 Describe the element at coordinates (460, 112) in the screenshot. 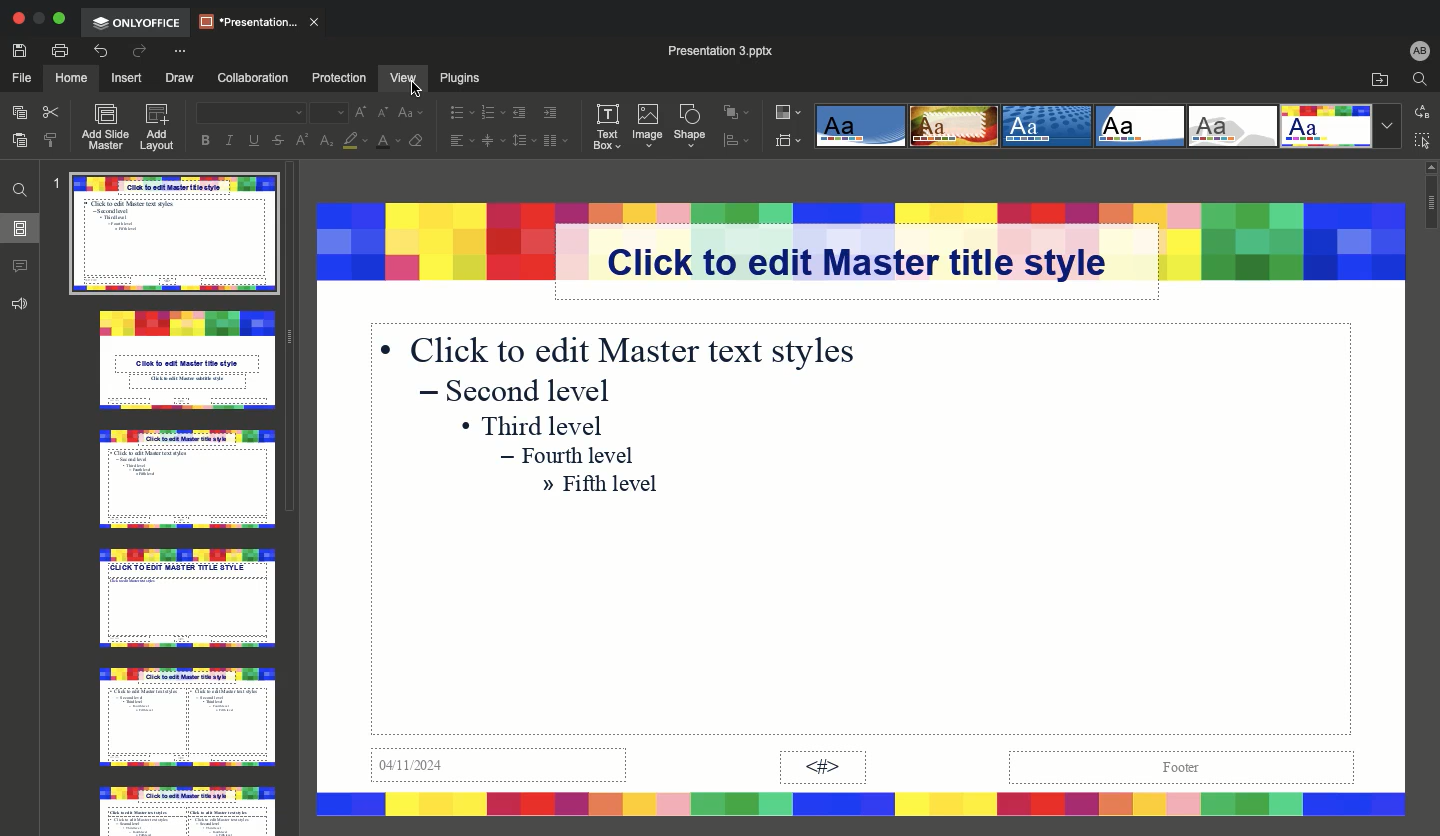

I see `List bullet` at that location.